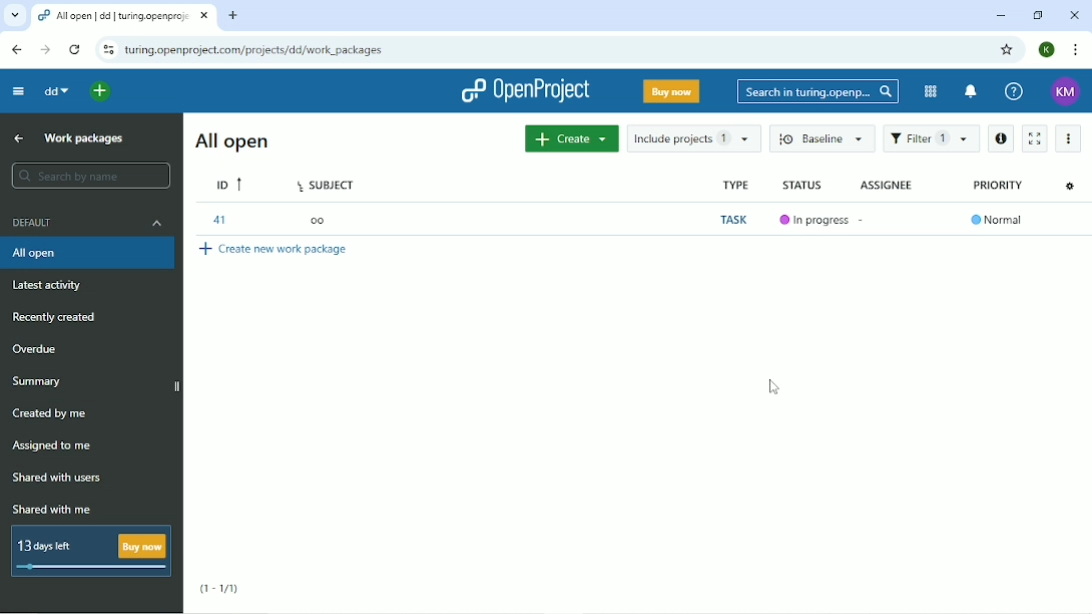  Describe the element at coordinates (671, 91) in the screenshot. I see `Buy now` at that location.